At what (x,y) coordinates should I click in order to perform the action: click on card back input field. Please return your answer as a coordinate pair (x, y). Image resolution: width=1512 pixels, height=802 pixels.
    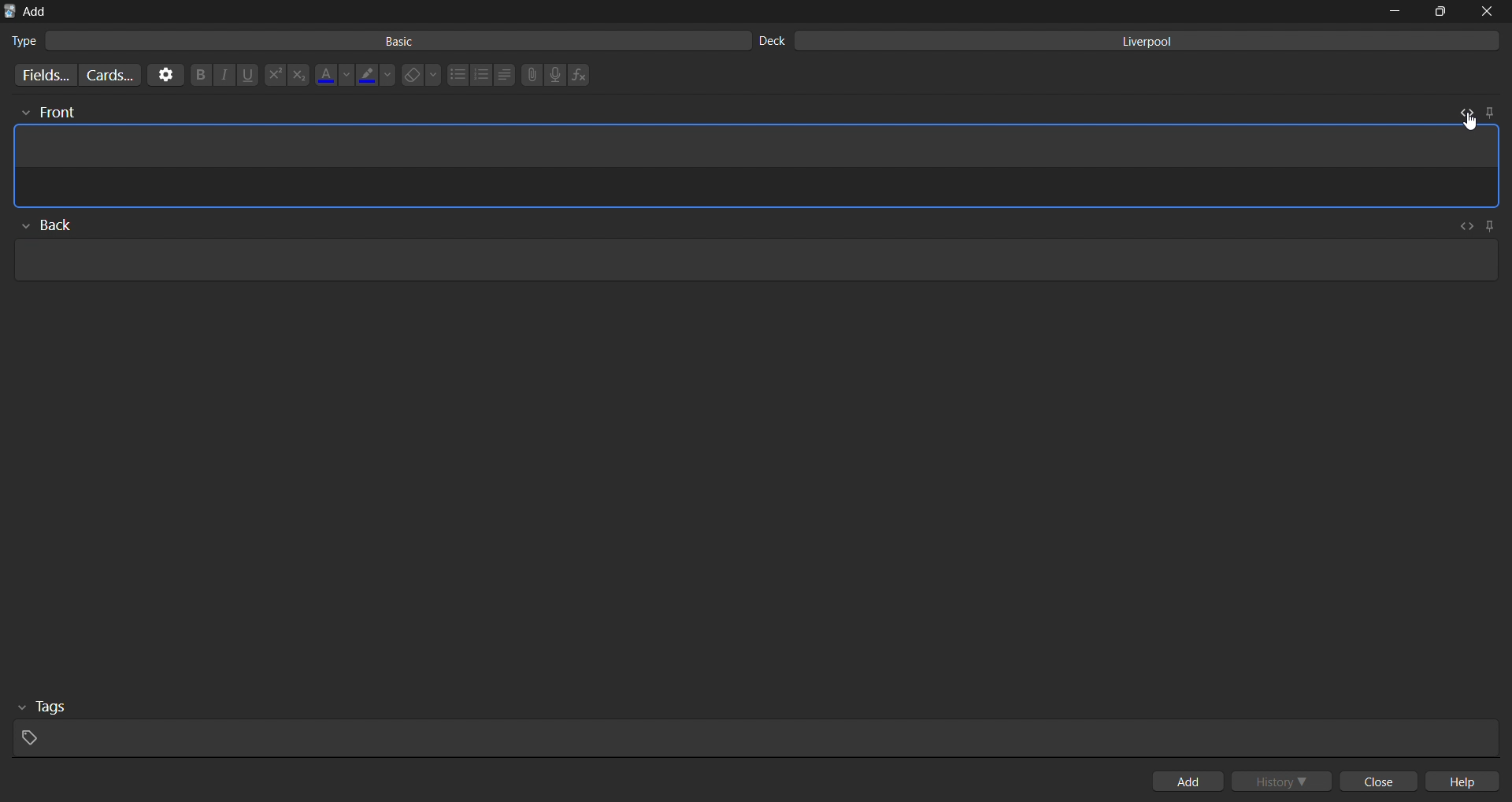
    Looking at the image, I should click on (750, 258).